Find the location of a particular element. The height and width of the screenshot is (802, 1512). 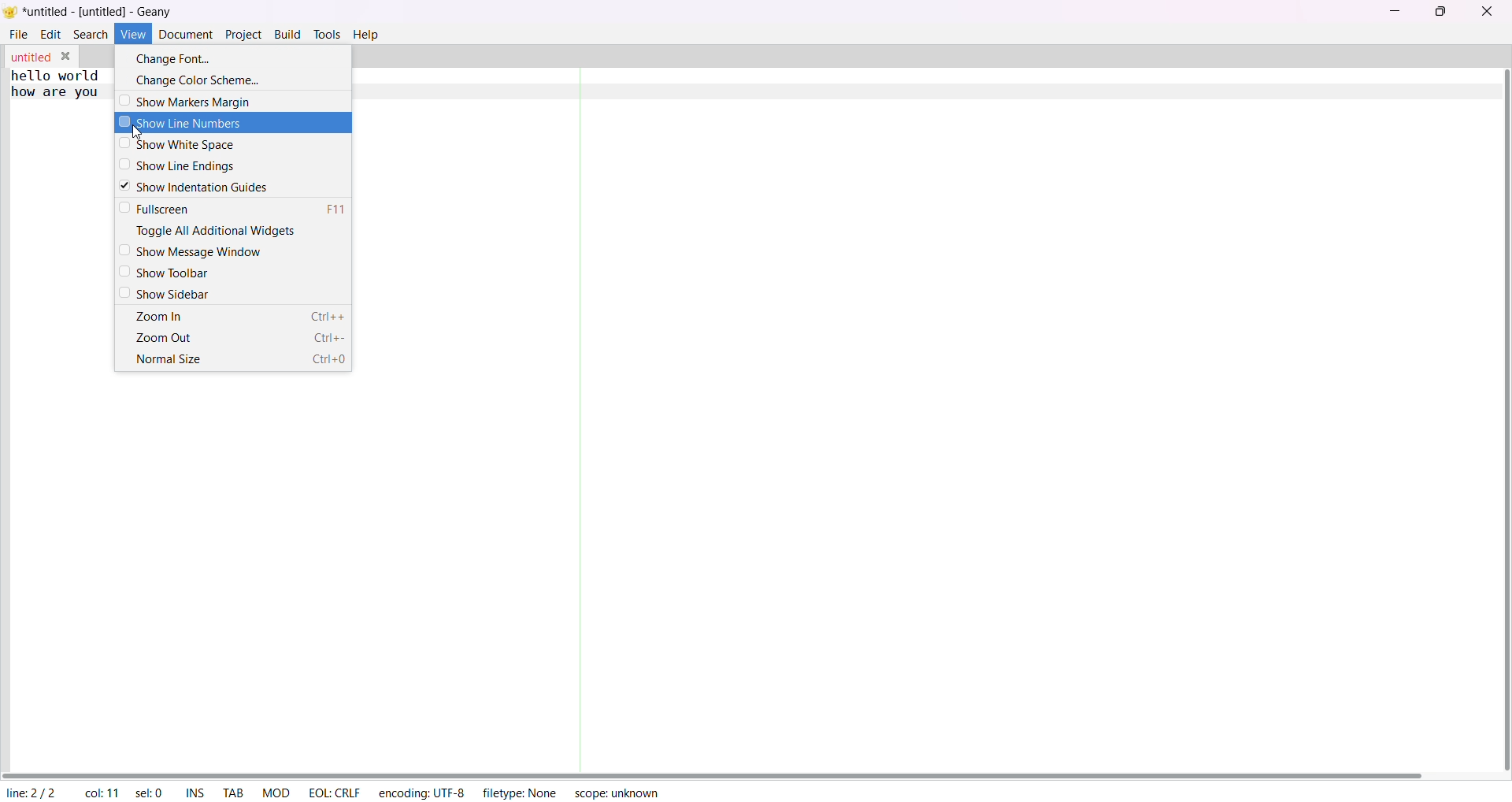

show toolbar is located at coordinates (156, 273).